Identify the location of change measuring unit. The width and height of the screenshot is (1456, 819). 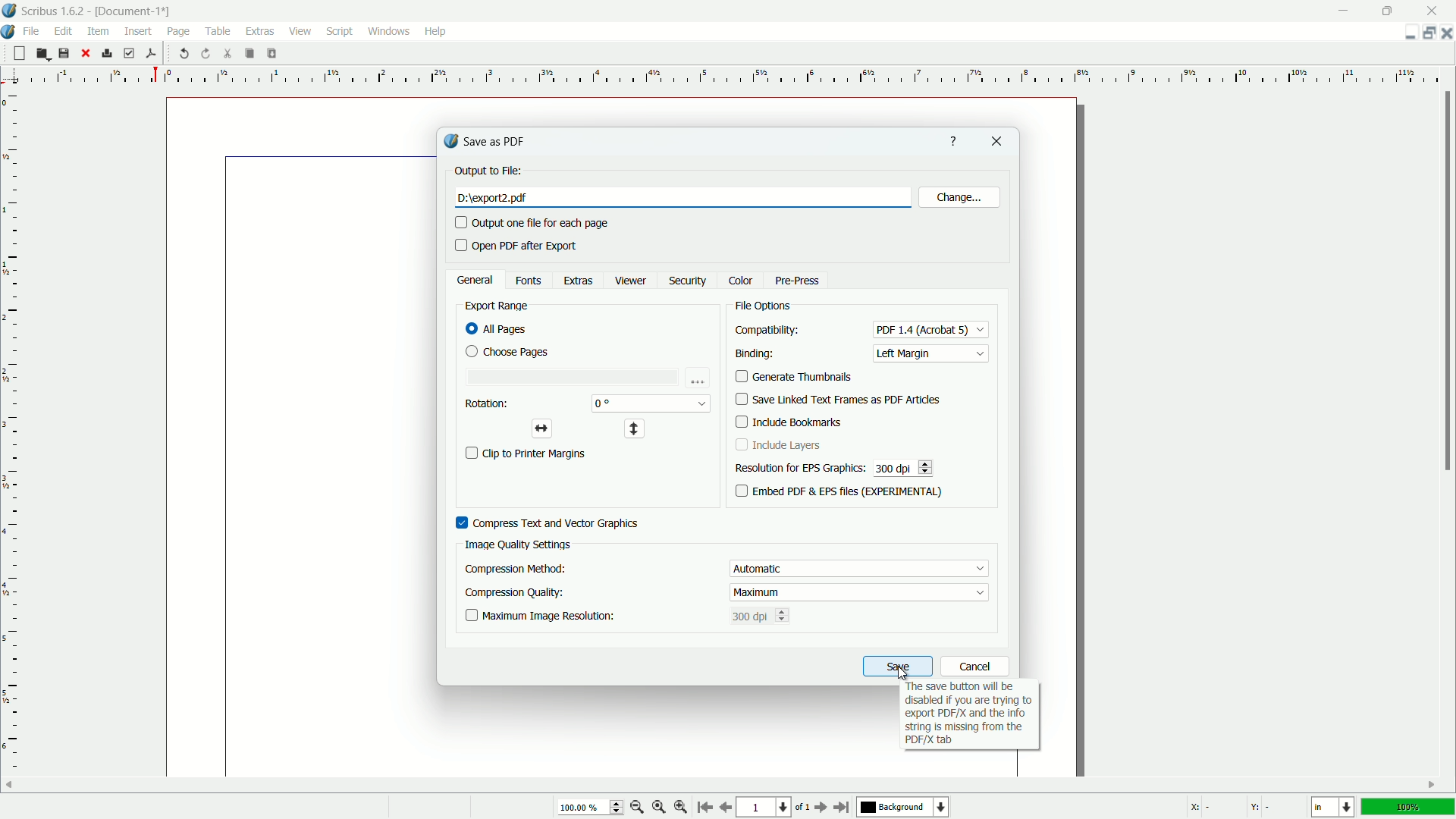
(1335, 808).